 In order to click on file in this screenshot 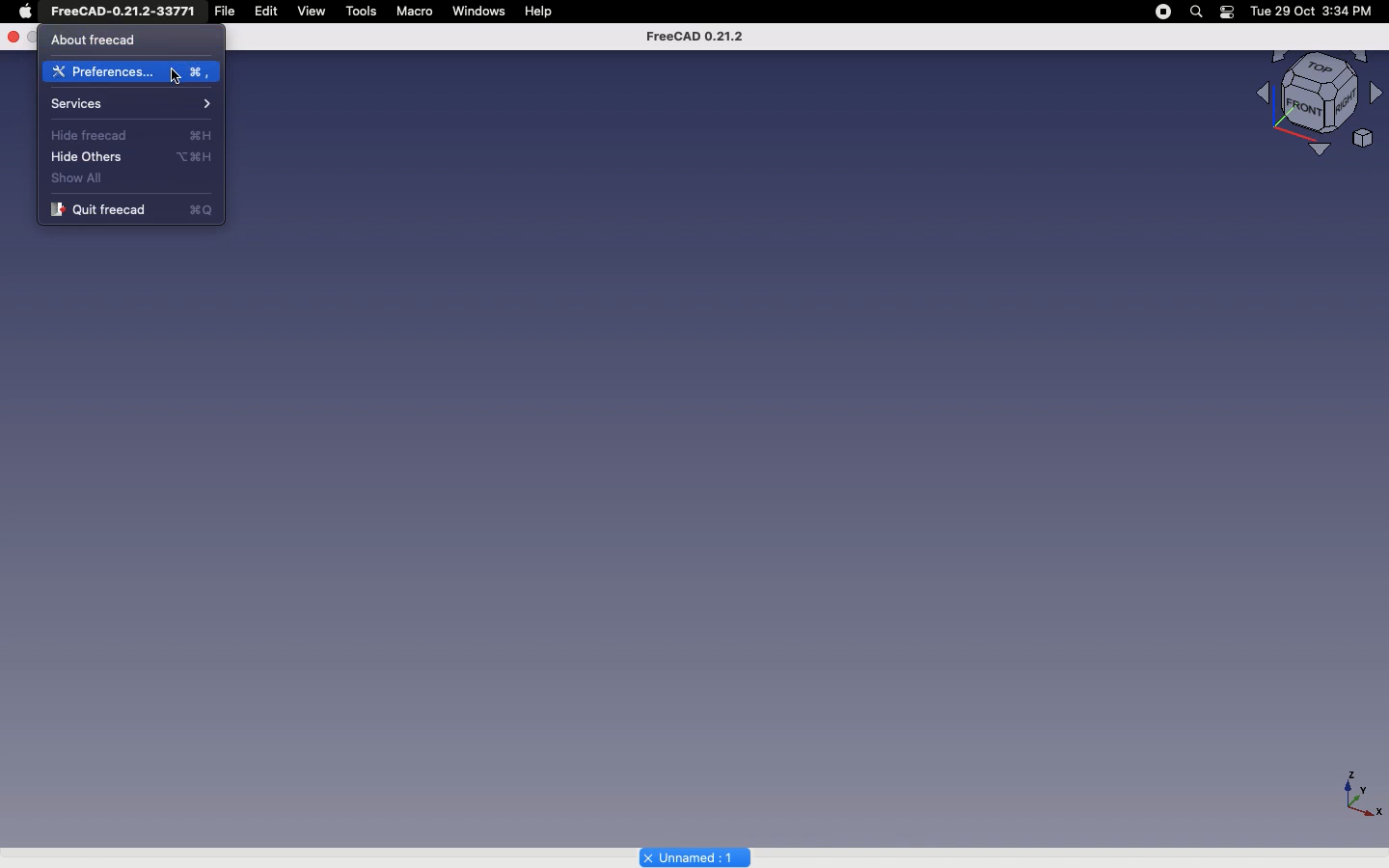, I will do `click(230, 12)`.